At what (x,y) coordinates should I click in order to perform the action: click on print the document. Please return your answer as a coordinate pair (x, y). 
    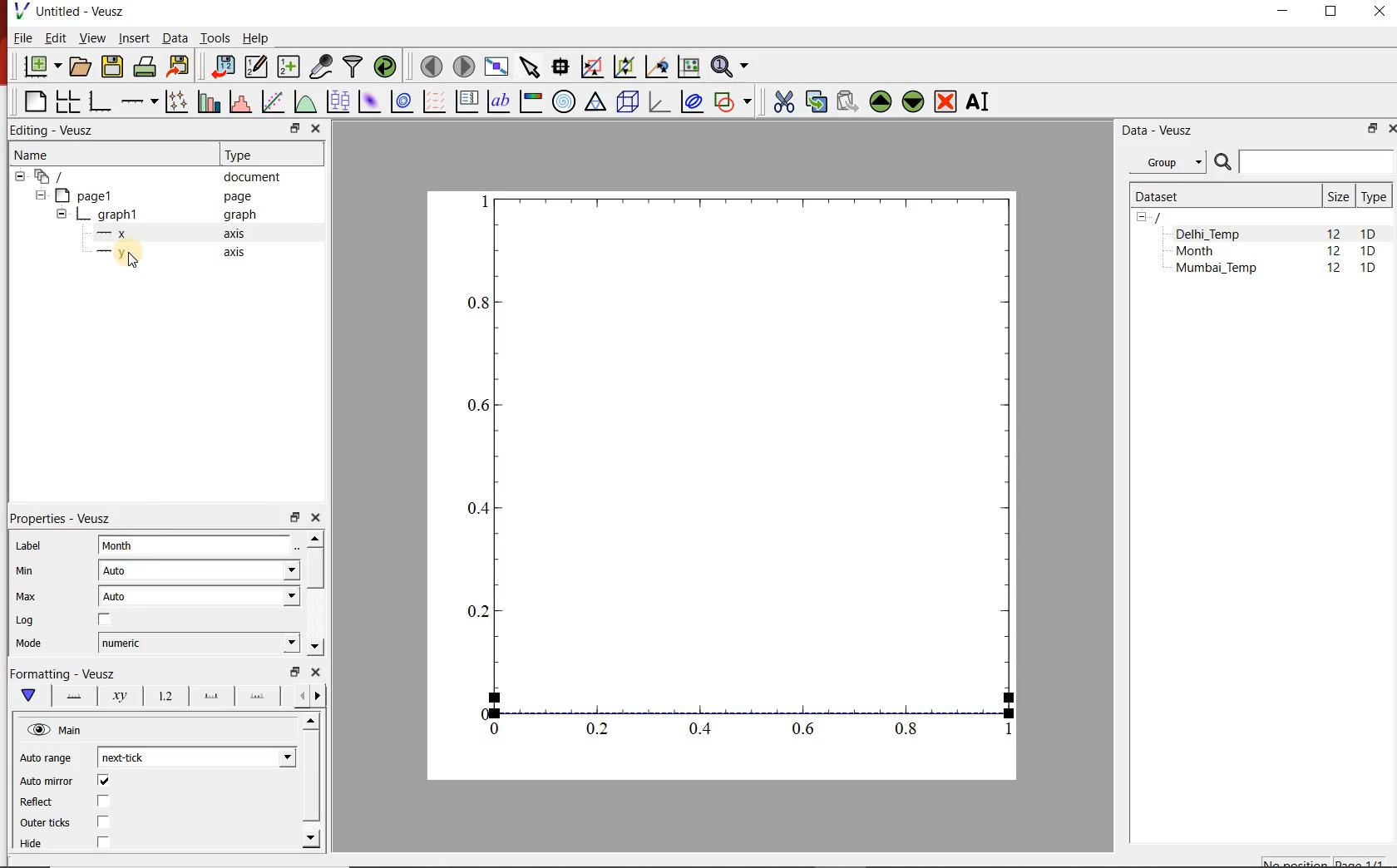
    Looking at the image, I should click on (145, 67).